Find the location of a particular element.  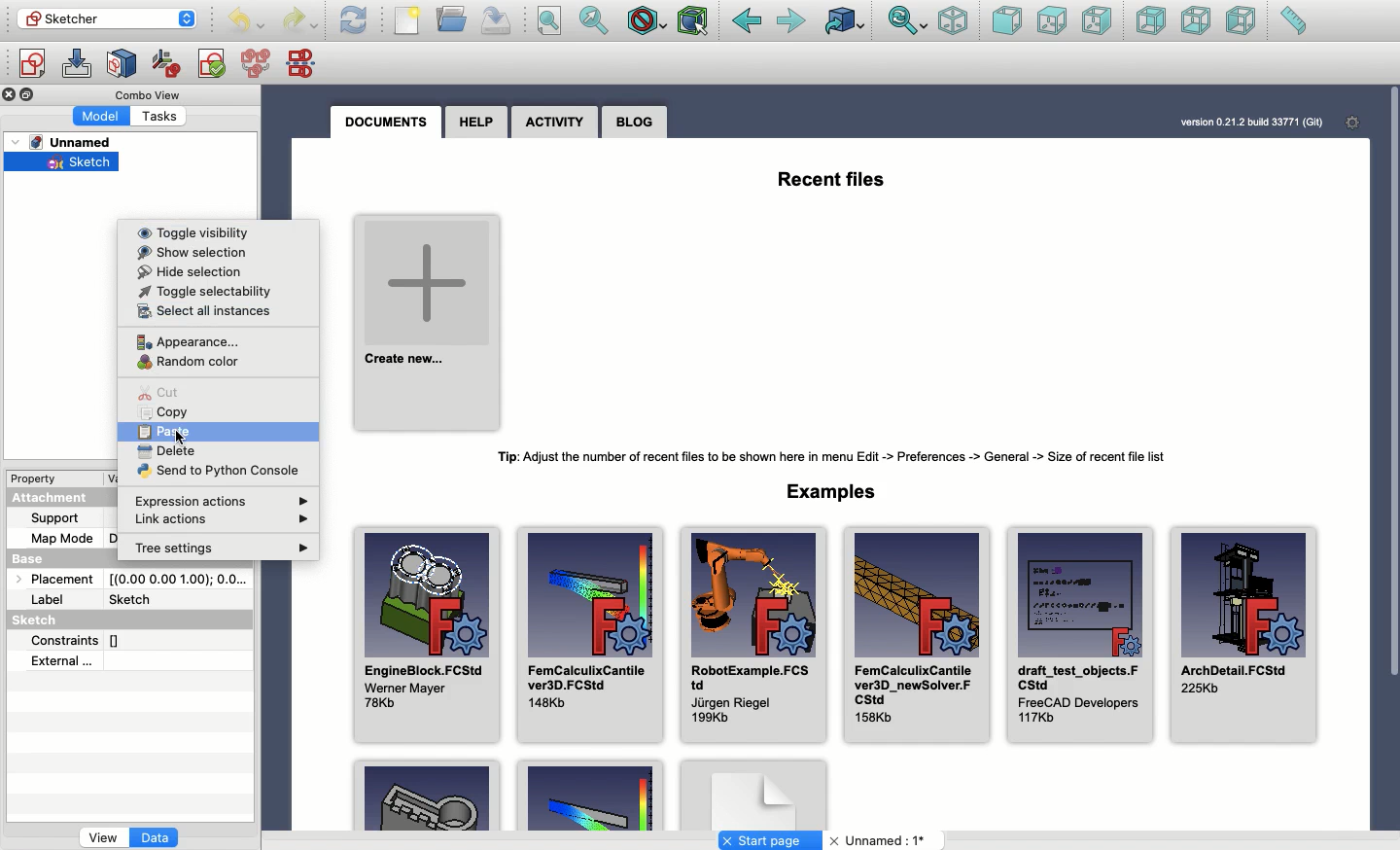

Document is located at coordinates (753, 794).